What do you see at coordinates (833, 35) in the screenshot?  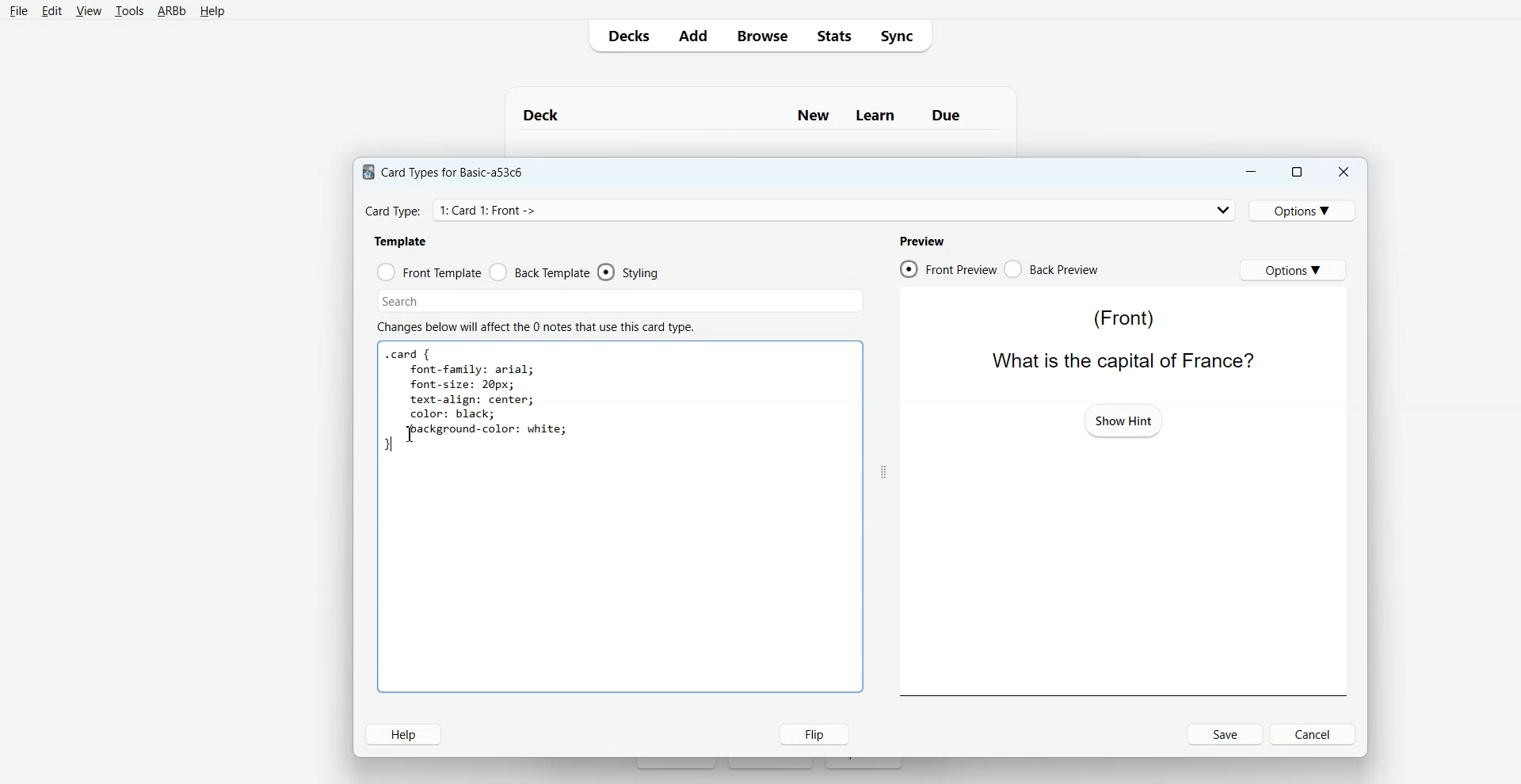 I see `Stats` at bounding box center [833, 35].